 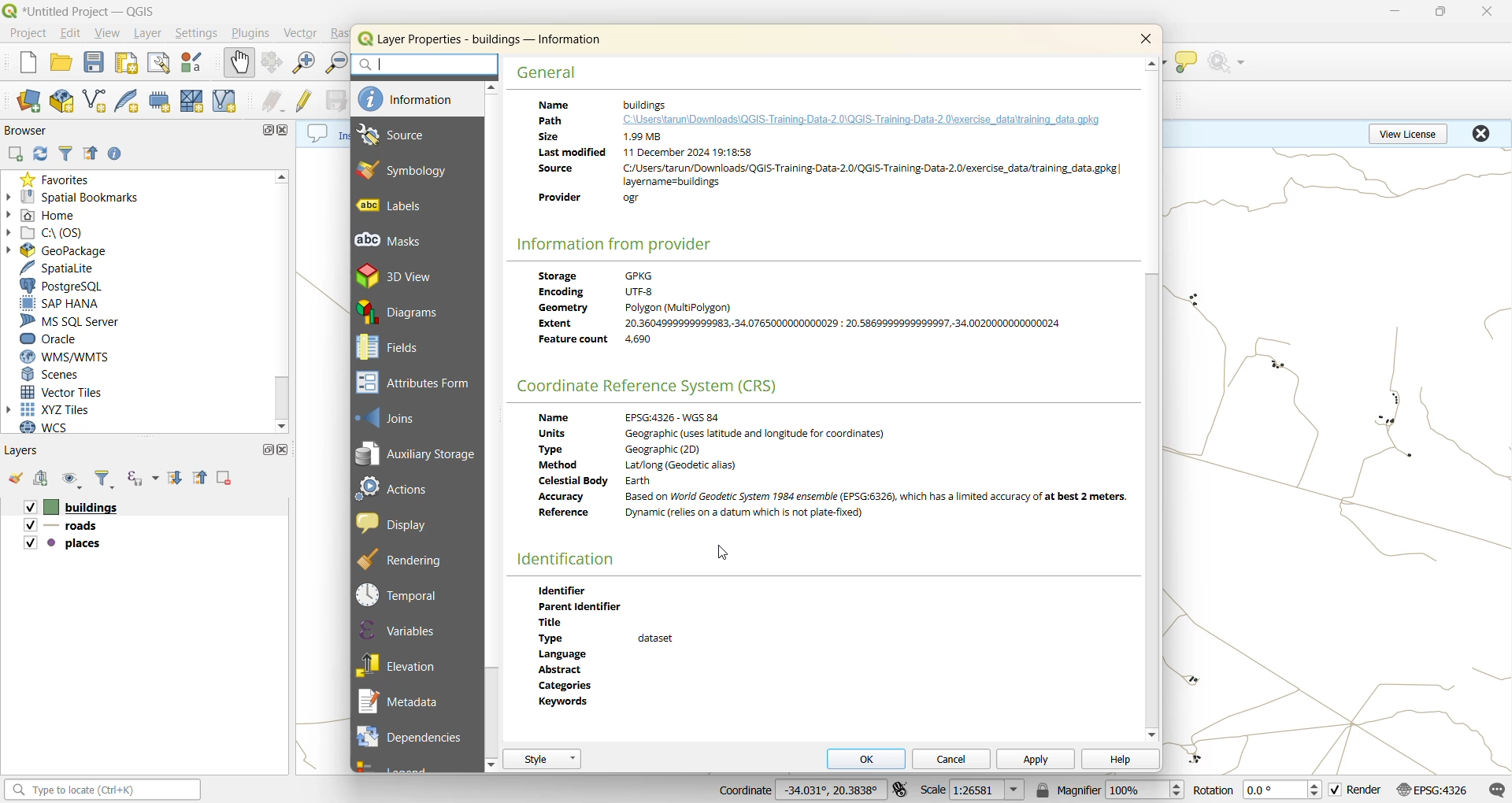 I want to click on path, so click(x=547, y=120).